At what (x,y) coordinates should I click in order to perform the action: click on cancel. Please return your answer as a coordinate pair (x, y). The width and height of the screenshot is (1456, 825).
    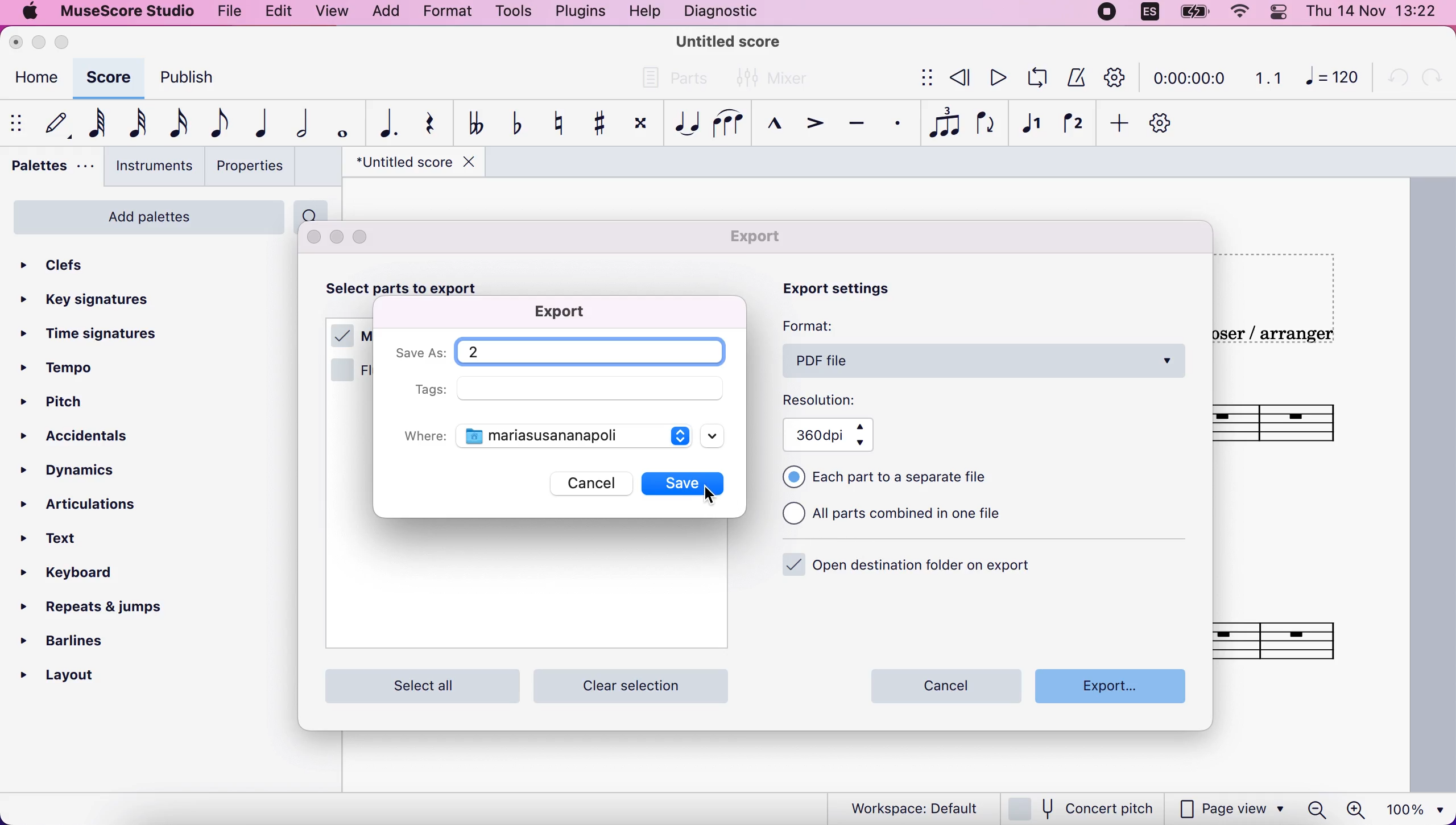
    Looking at the image, I should click on (590, 483).